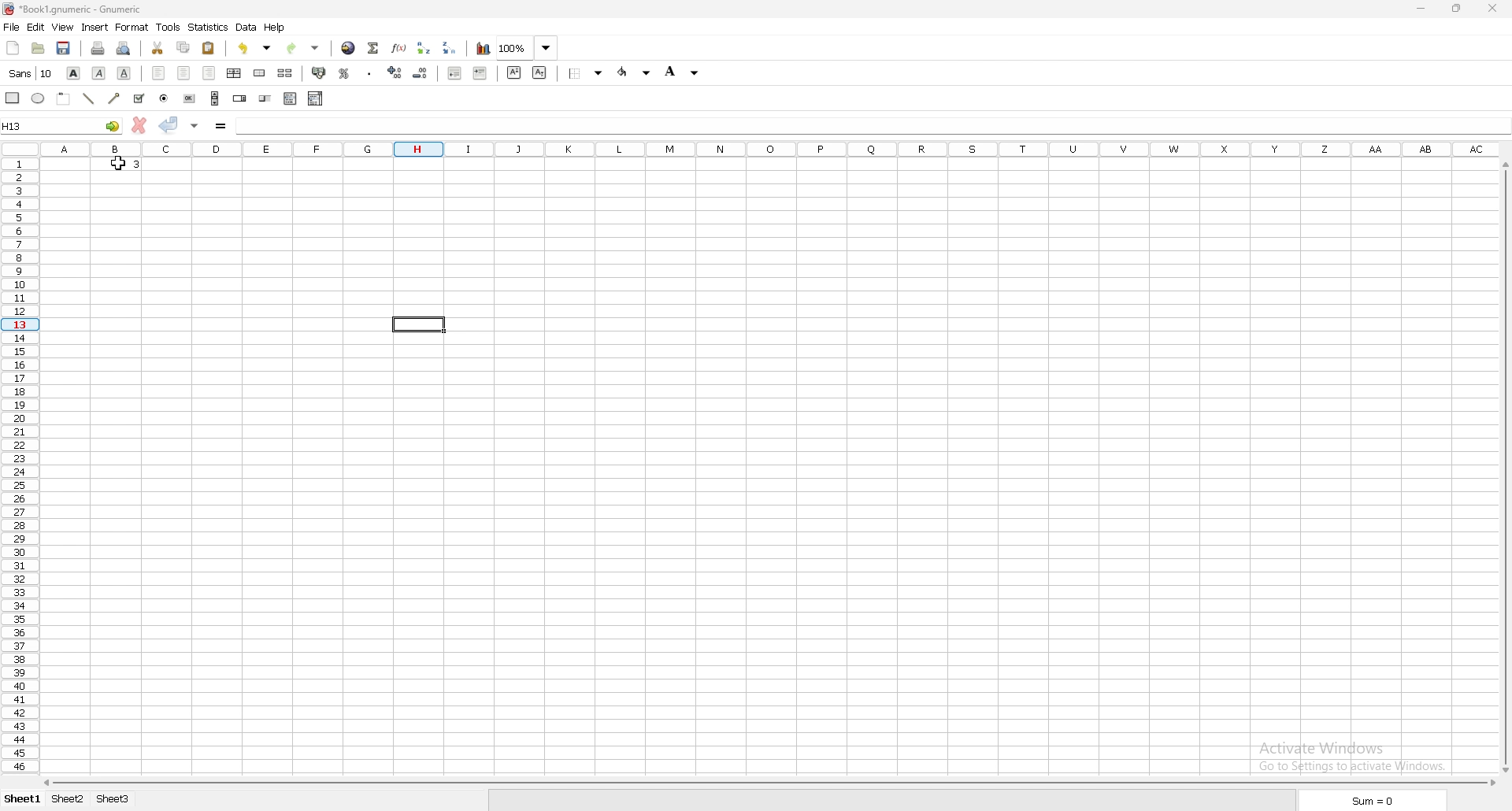  I want to click on cancel changes, so click(139, 125).